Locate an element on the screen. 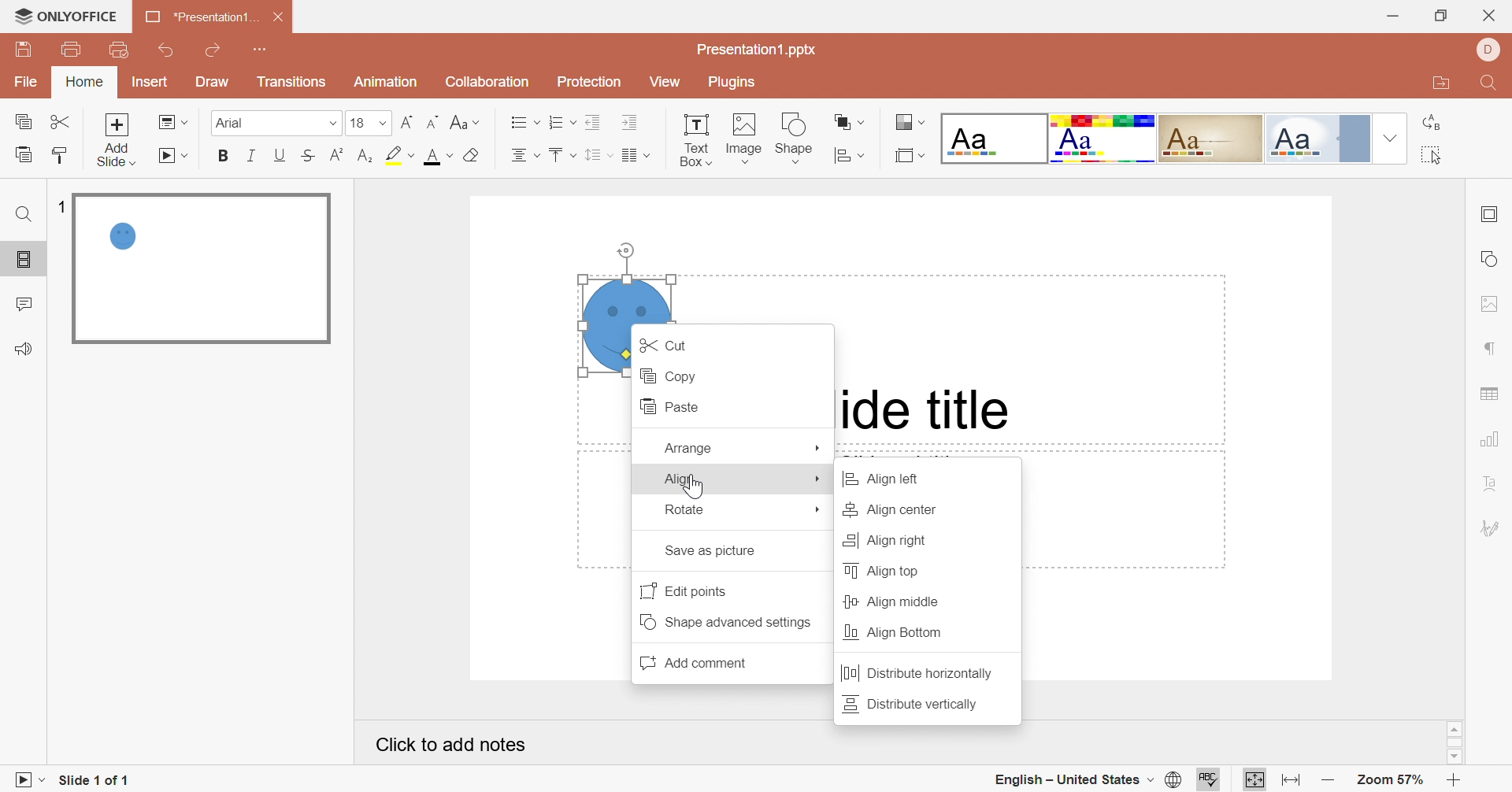  Fit to width is located at coordinates (1291, 780).